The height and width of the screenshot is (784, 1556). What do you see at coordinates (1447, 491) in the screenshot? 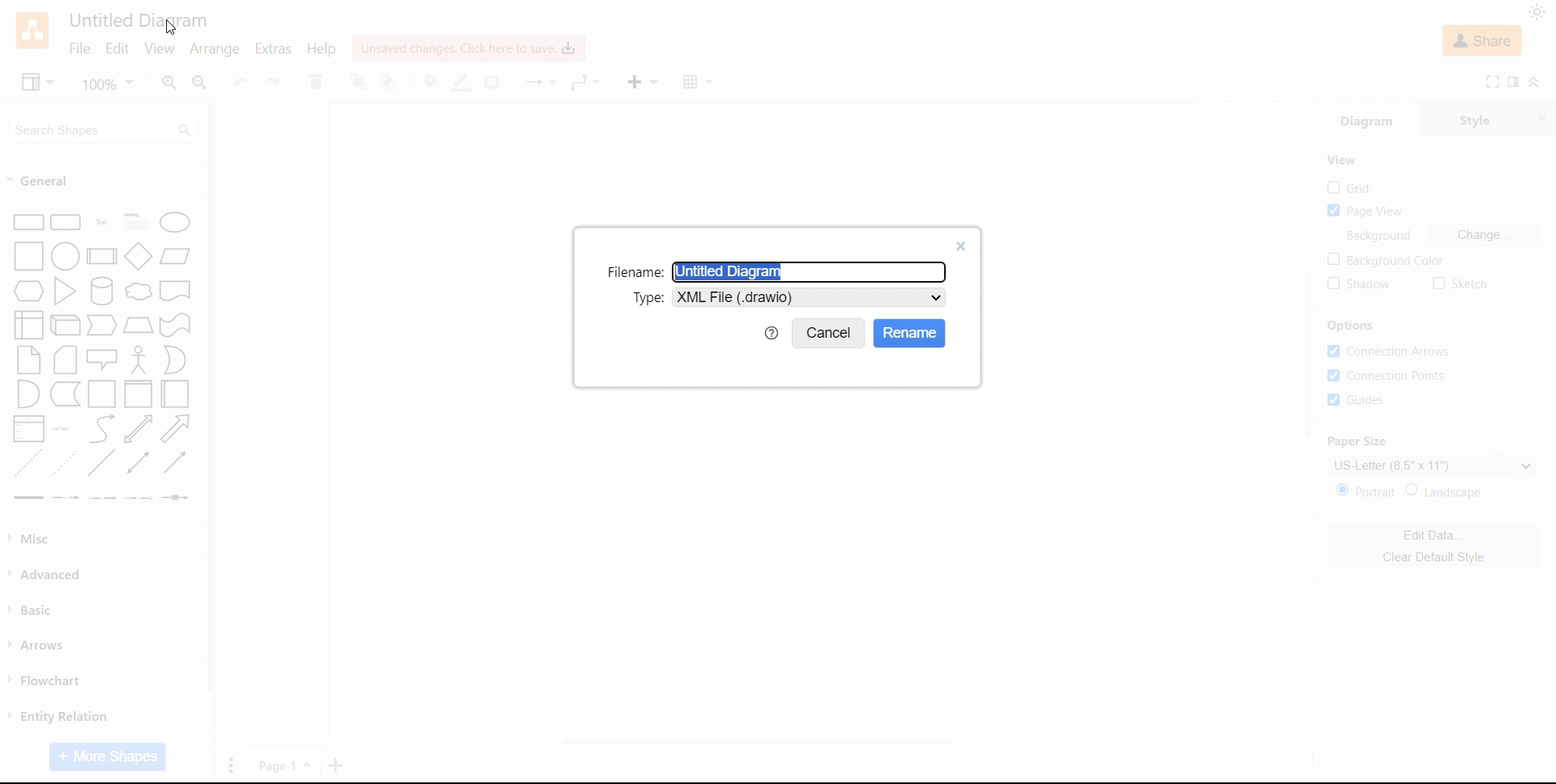
I see `Landscape ` at bounding box center [1447, 491].